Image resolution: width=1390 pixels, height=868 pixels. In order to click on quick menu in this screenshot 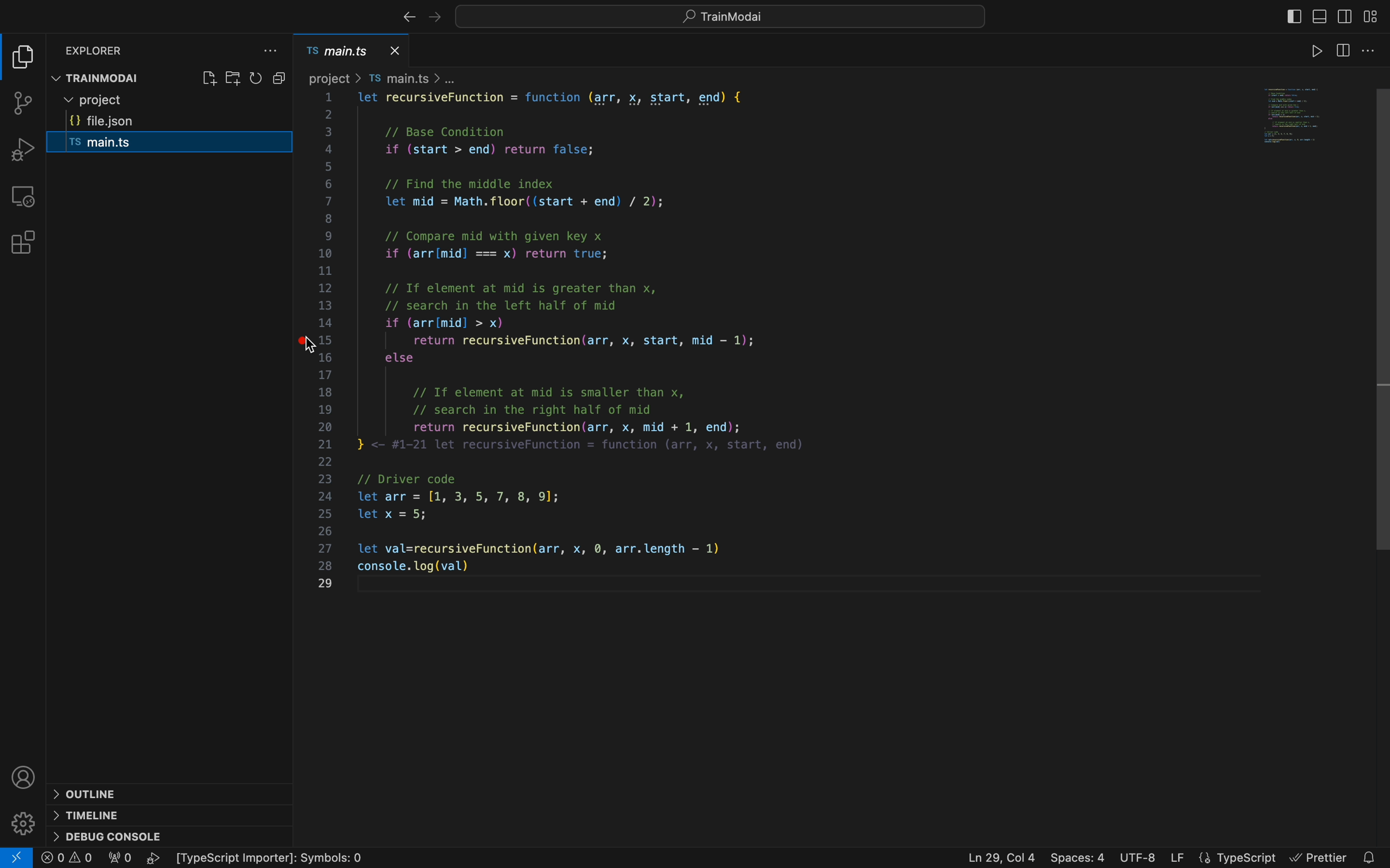, I will do `click(716, 18)`.